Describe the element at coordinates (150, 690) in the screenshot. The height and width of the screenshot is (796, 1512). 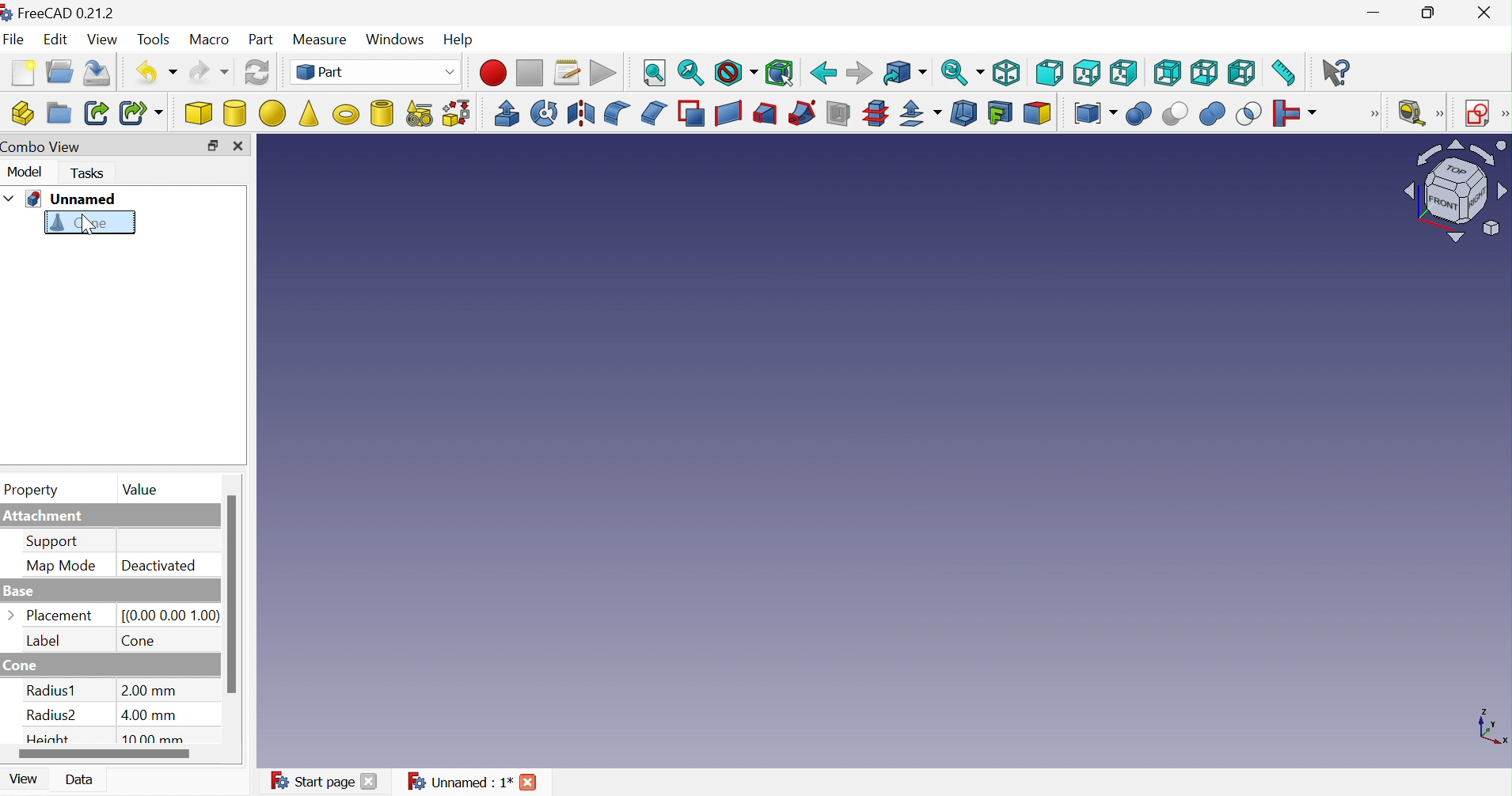
I see `2.00 mm` at that location.